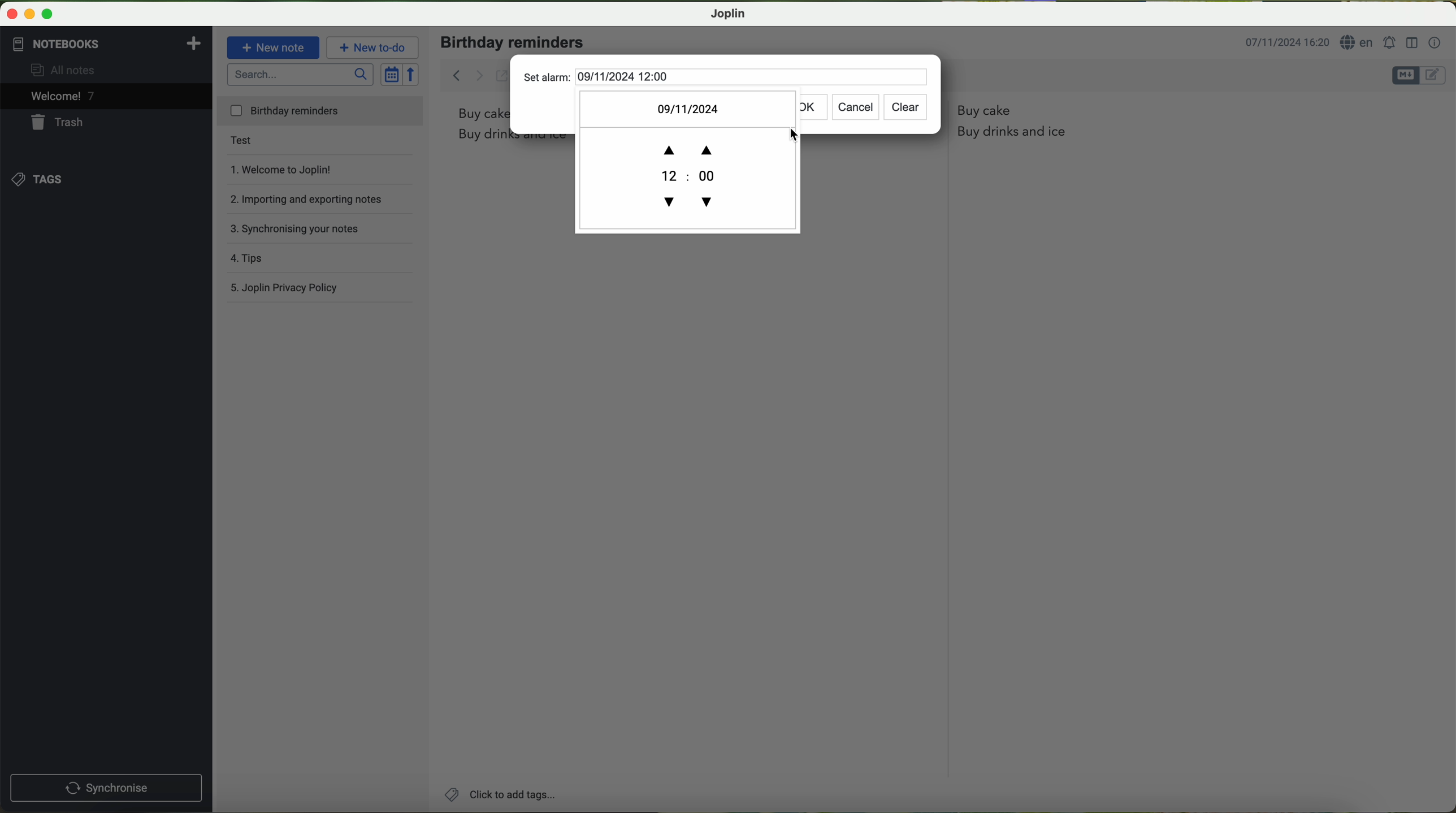 The width and height of the screenshot is (1456, 813). What do you see at coordinates (312, 196) in the screenshot?
I see `importing and exporting notes` at bounding box center [312, 196].